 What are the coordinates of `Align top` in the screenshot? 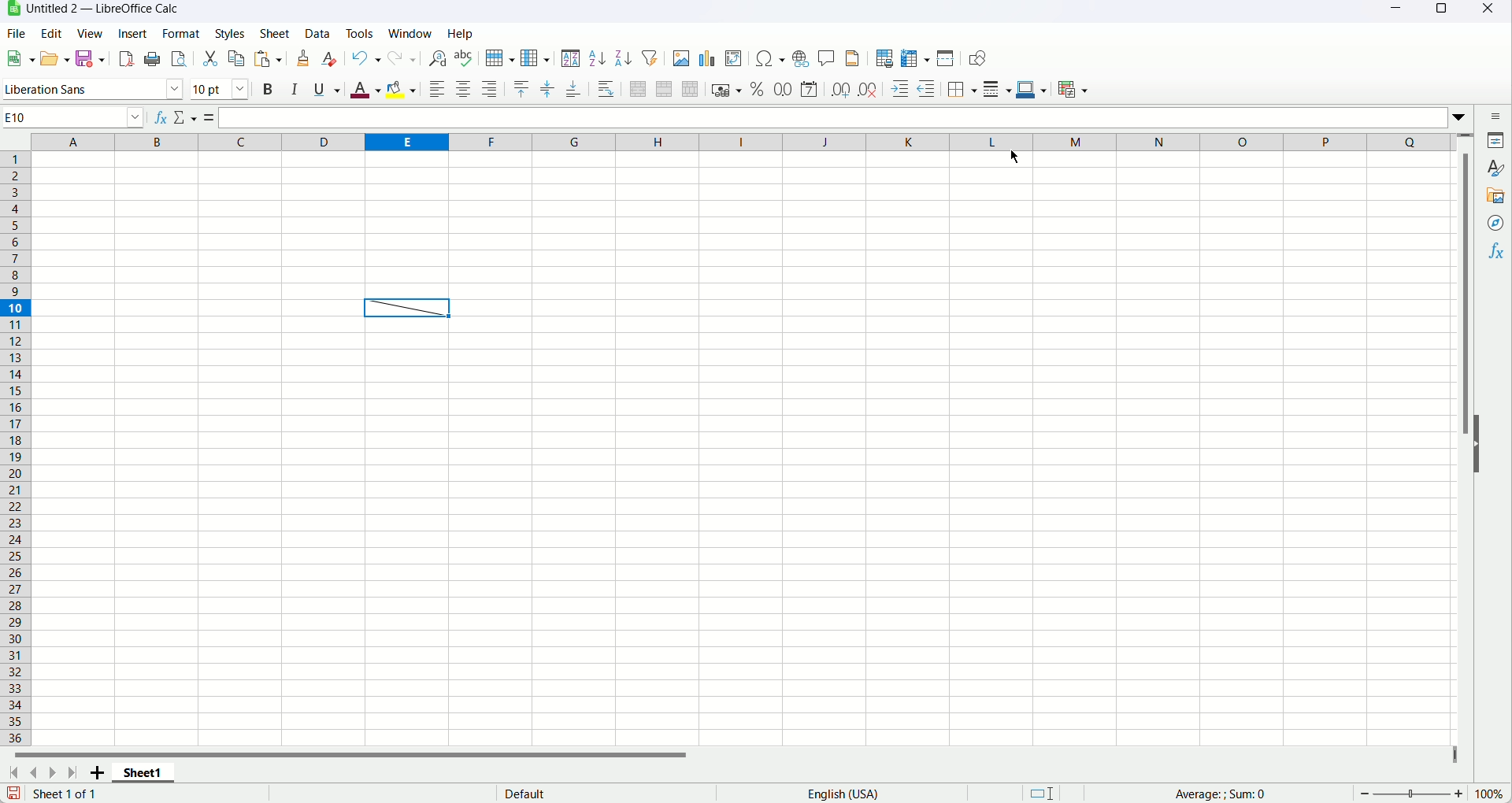 It's located at (520, 87).